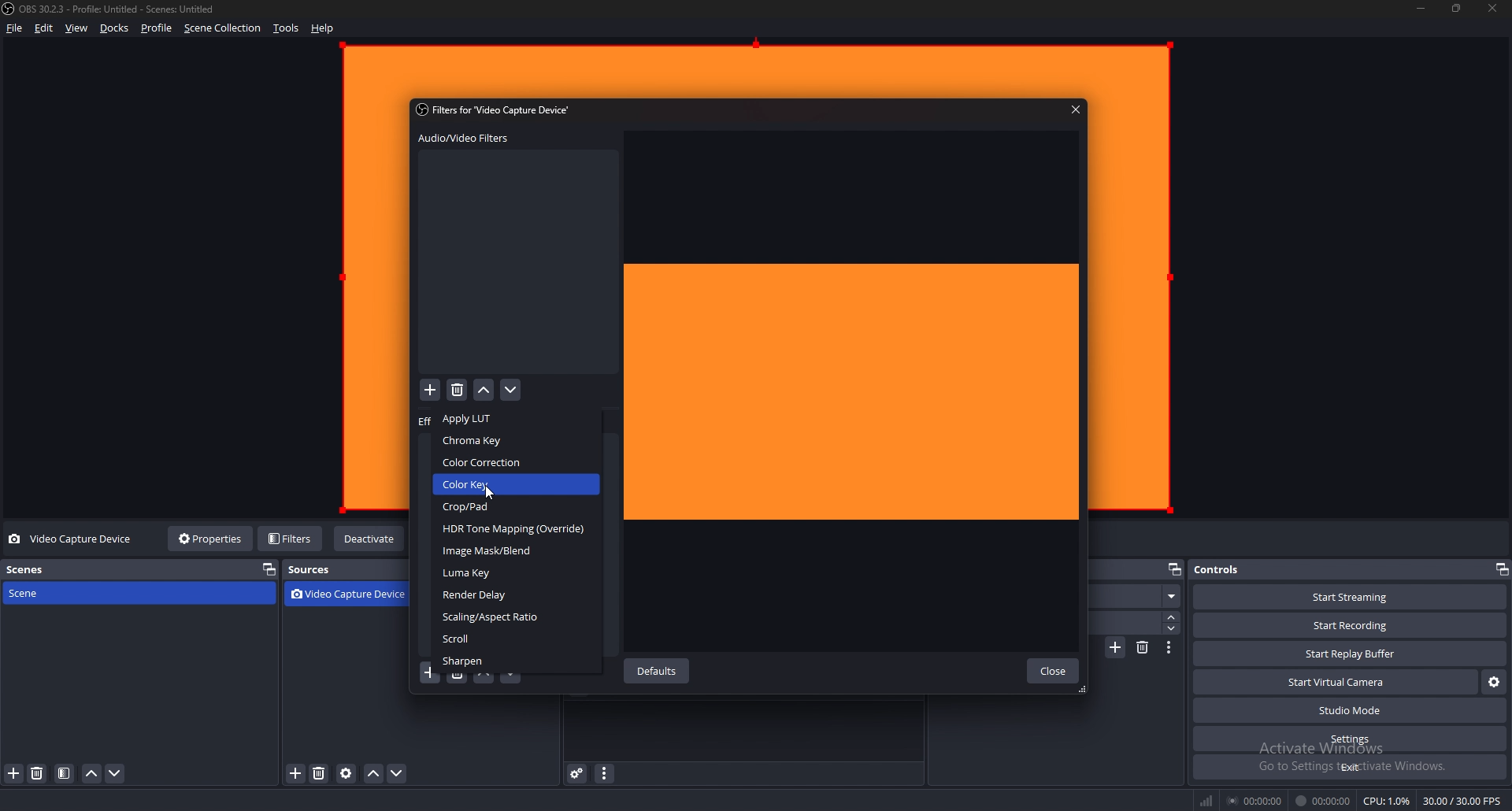 Image resolution: width=1512 pixels, height=811 pixels. What do you see at coordinates (268, 570) in the screenshot?
I see `pop out` at bounding box center [268, 570].